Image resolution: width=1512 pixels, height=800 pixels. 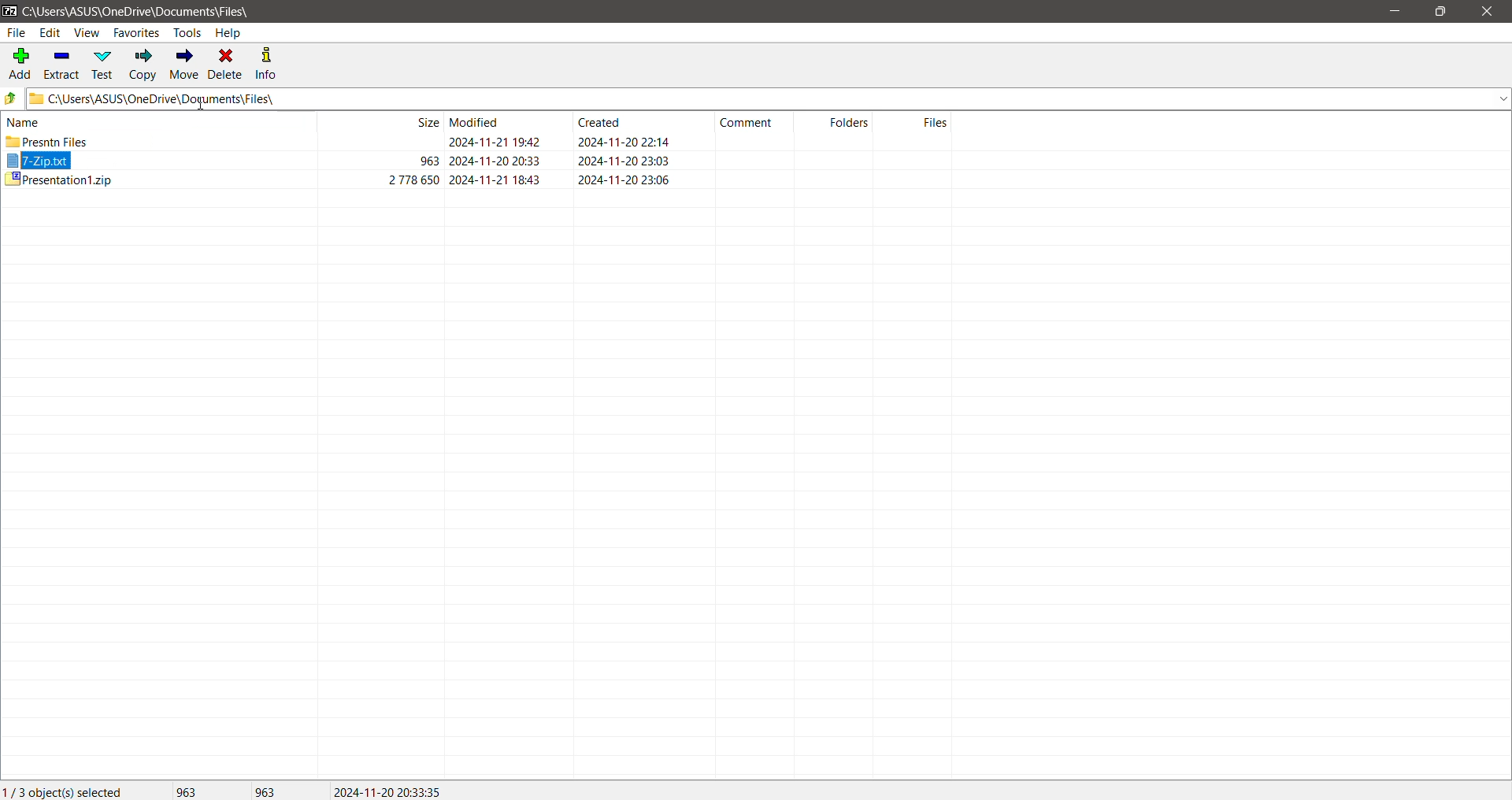 I want to click on created, so click(x=598, y=122).